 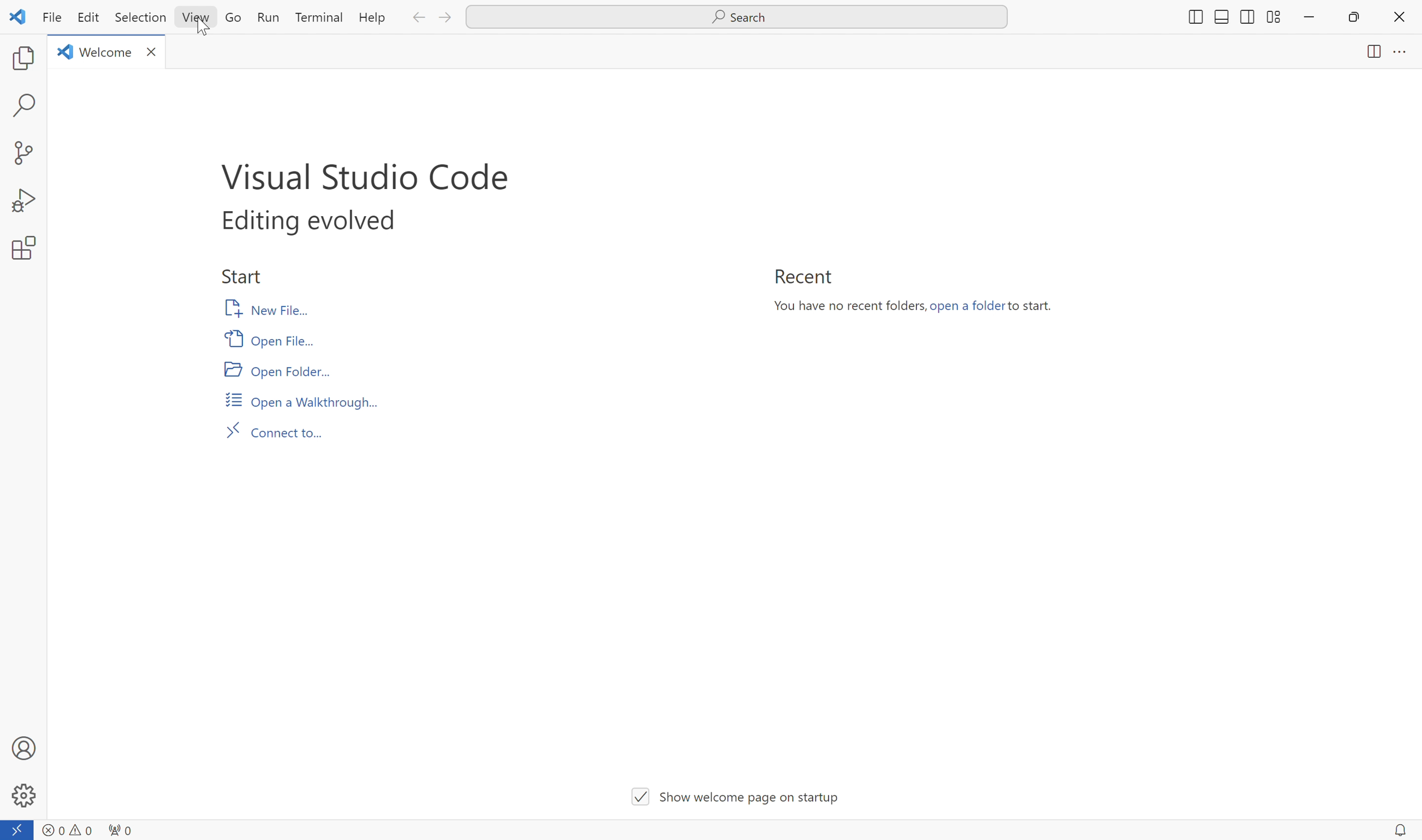 What do you see at coordinates (65, 830) in the screenshot?
I see `errors` at bounding box center [65, 830].